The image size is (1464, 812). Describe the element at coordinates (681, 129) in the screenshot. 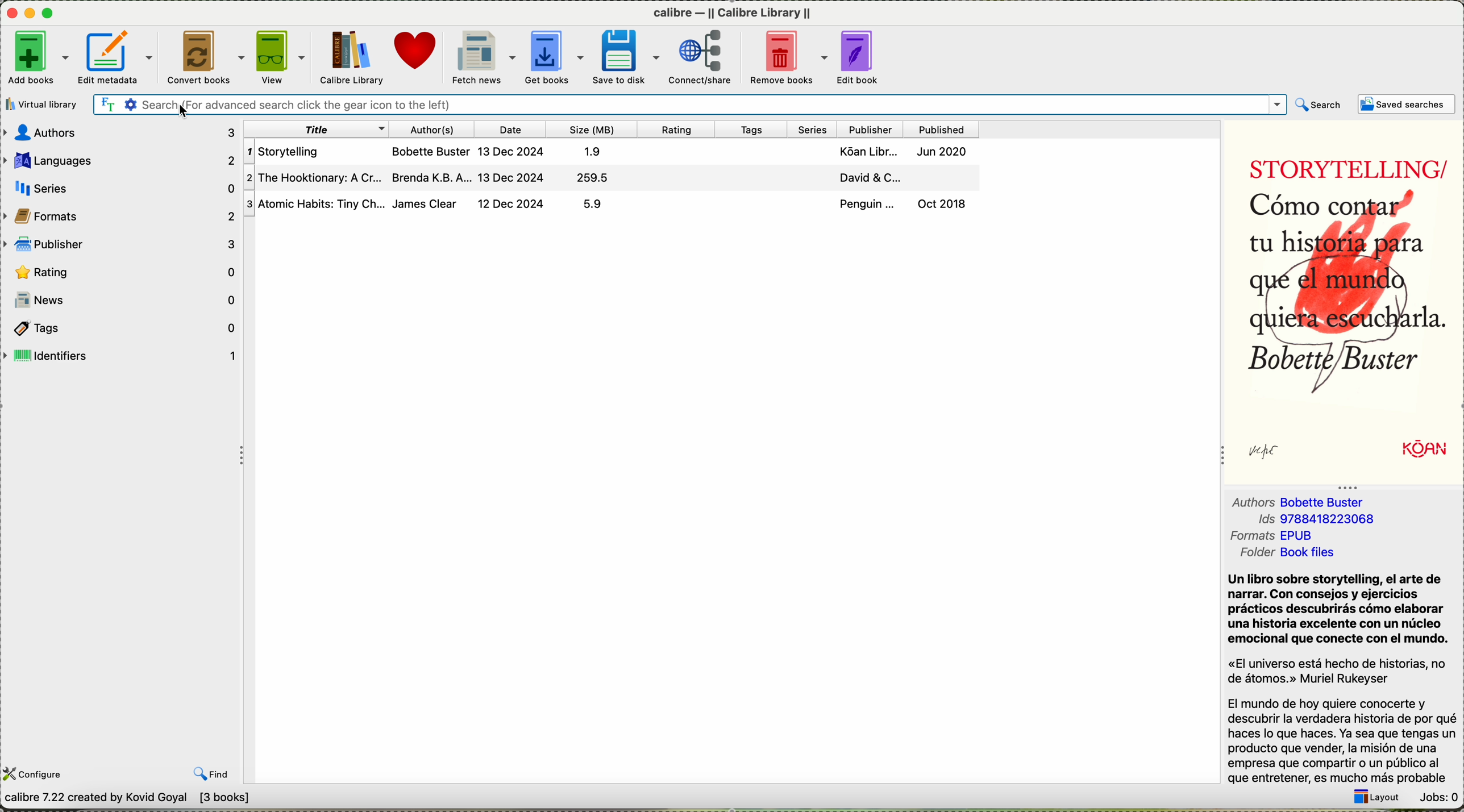

I see `rating` at that location.